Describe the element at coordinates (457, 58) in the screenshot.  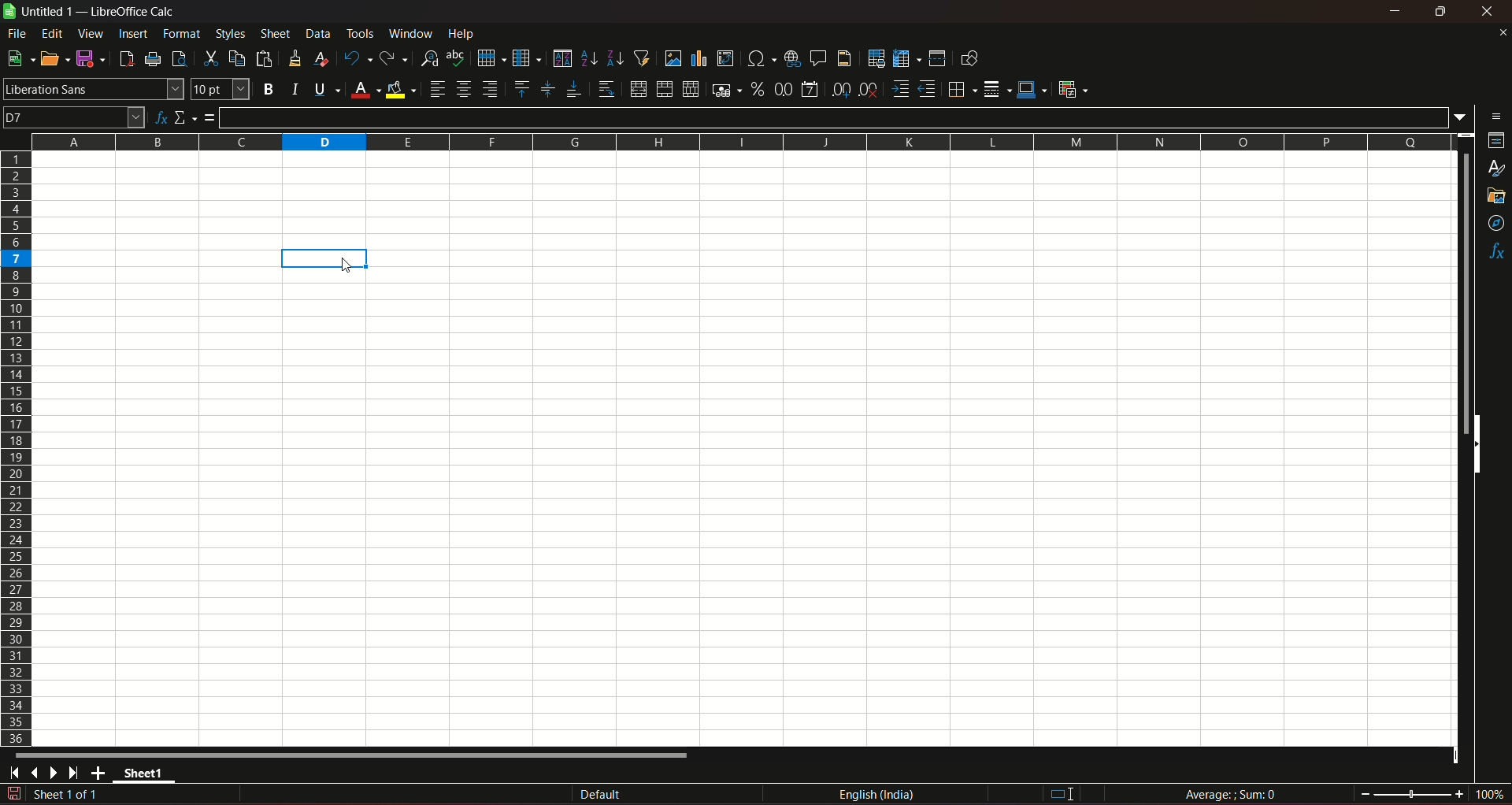
I see `spelling` at that location.